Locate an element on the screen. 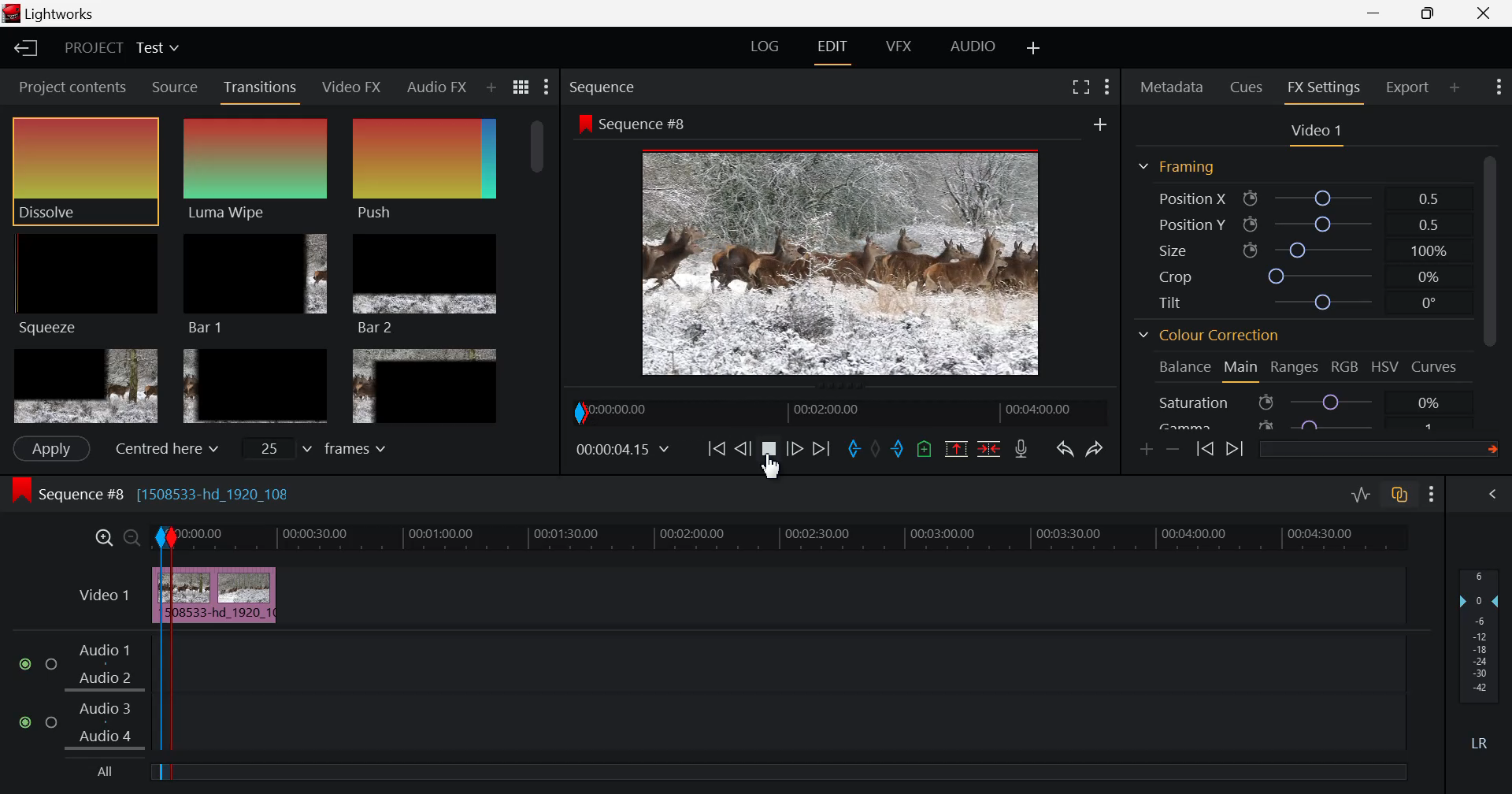 The width and height of the screenshot is (1512, 794). Size is located at coordinates (1309, 250).